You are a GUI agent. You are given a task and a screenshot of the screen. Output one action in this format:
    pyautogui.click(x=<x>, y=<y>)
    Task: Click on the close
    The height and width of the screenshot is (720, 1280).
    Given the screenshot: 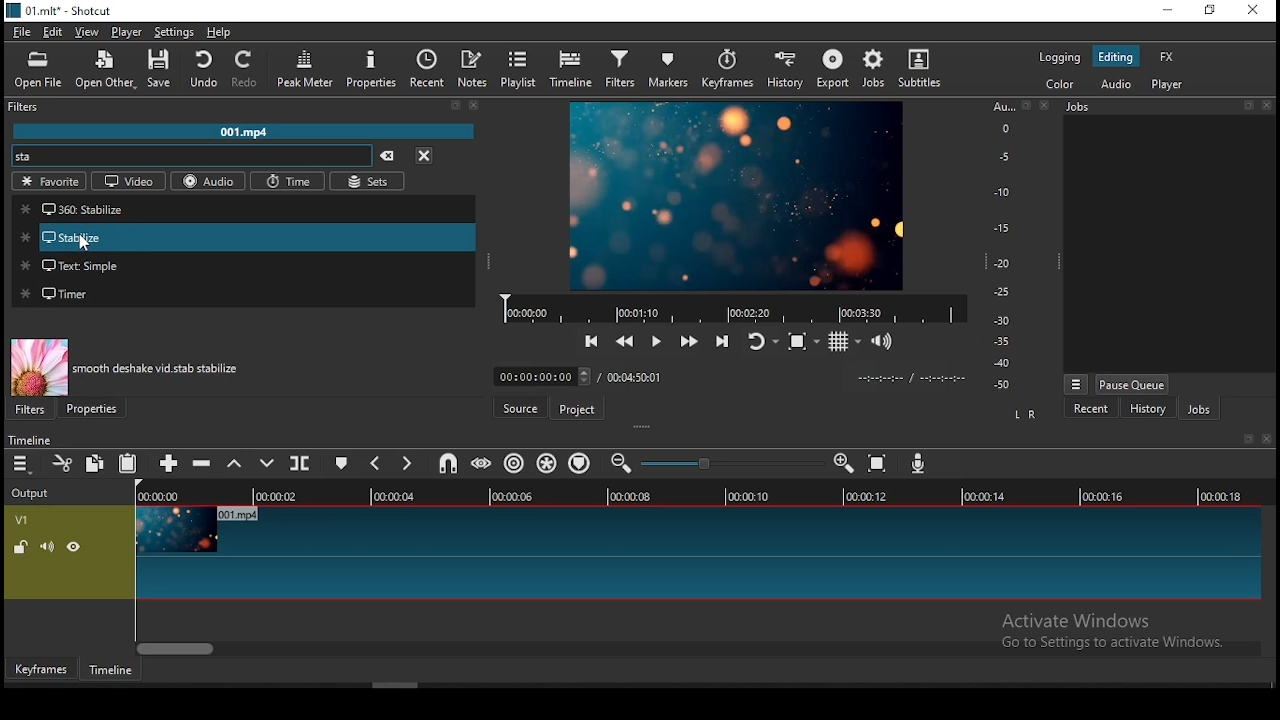 What is the action you would take?
    pyautogui.click(x=1270, y=105)
    